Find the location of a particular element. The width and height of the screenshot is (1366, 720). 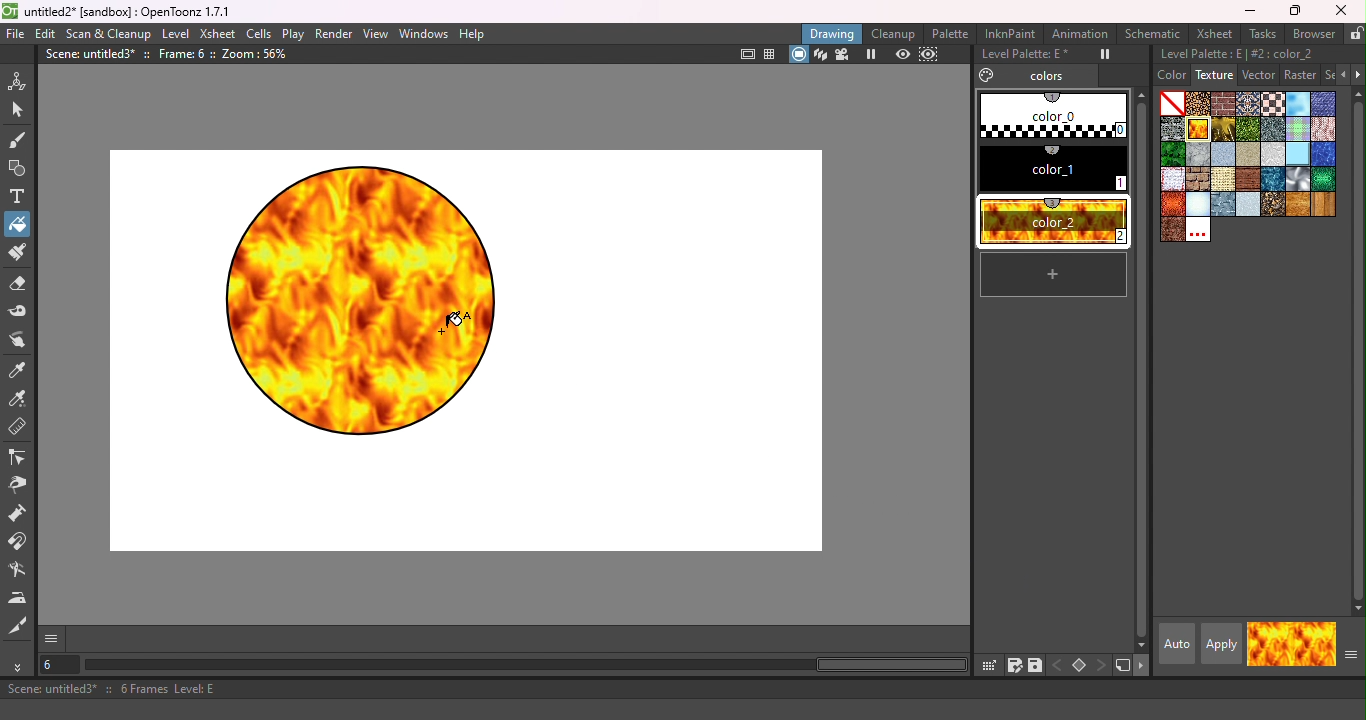

Custom textures is located at coordinates (1199, 231).